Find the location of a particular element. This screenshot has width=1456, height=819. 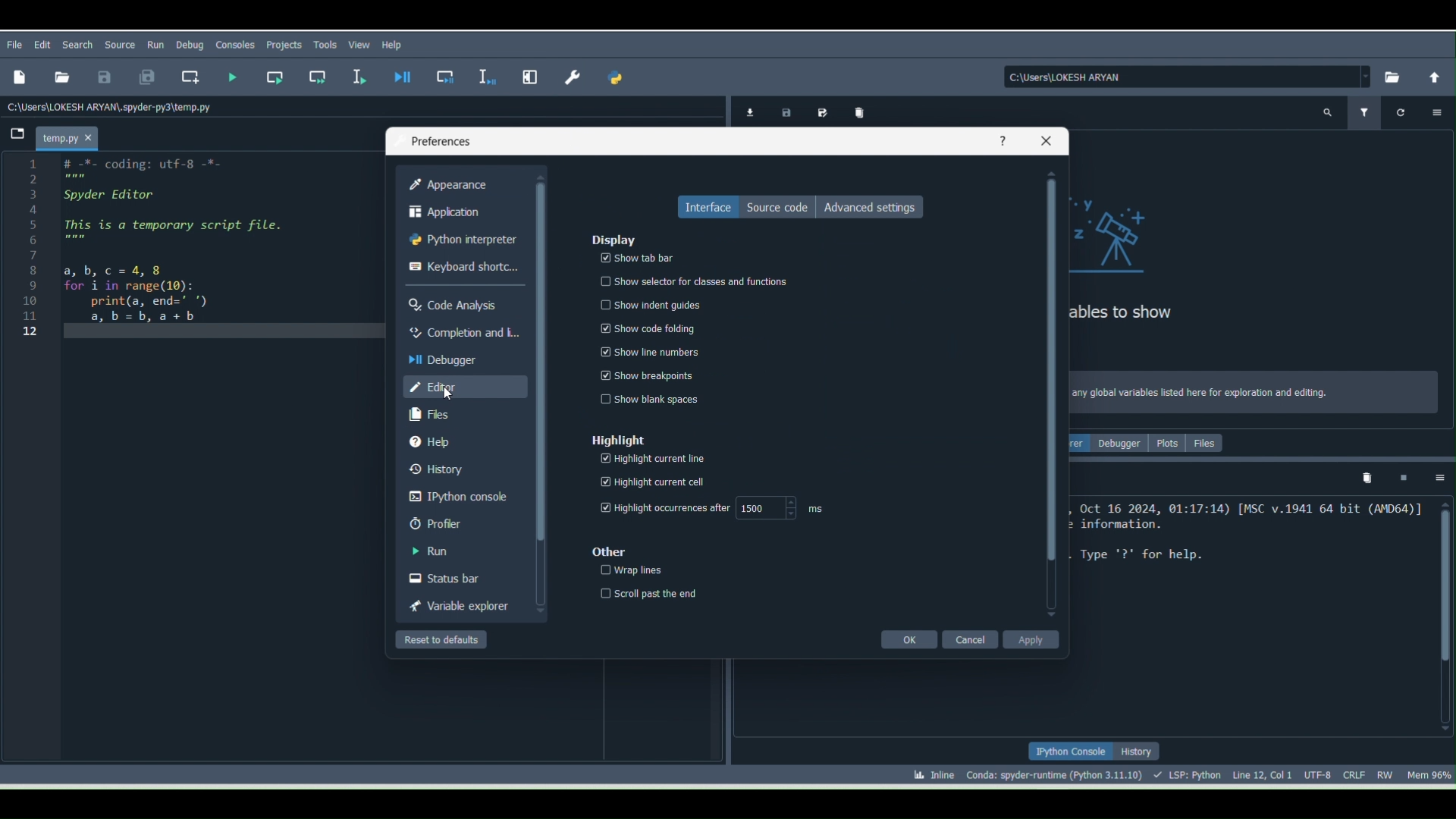

Variable explorer is located at coordinates (461, 606).